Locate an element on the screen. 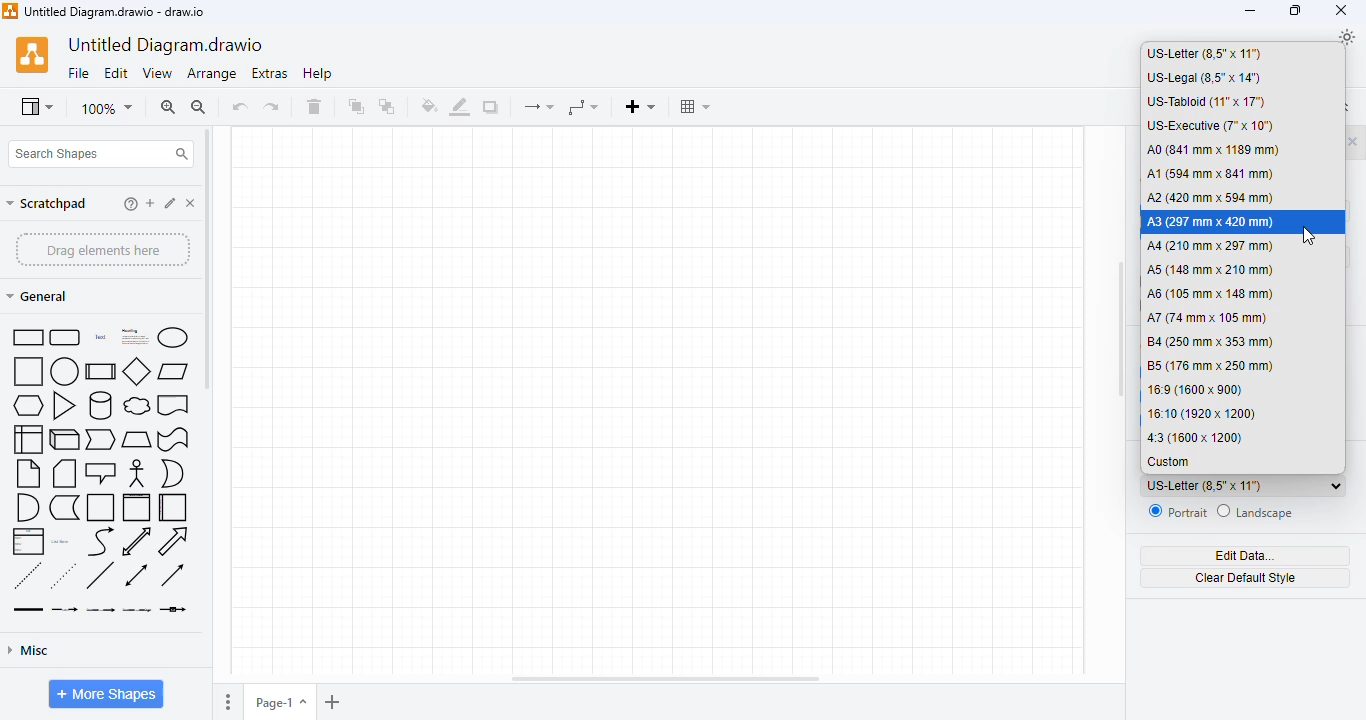 This screenshot has height=720, width=1366. A1 is located at coordinates (1211, 174).